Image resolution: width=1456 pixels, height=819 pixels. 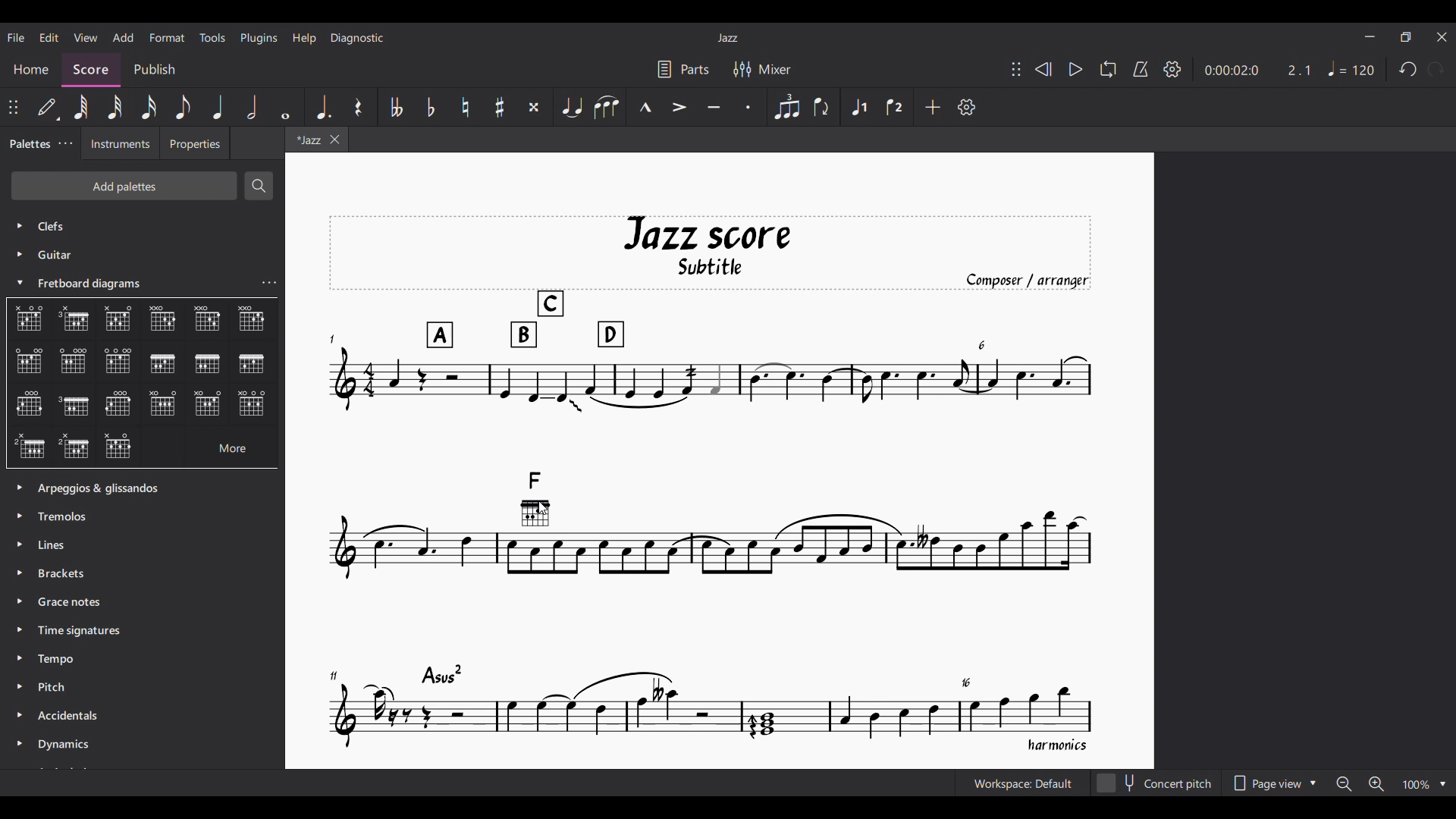 What do you see at coordinates (42, 255) in the screenshot?
I see `Guitar` at bounding box center [42, 255].